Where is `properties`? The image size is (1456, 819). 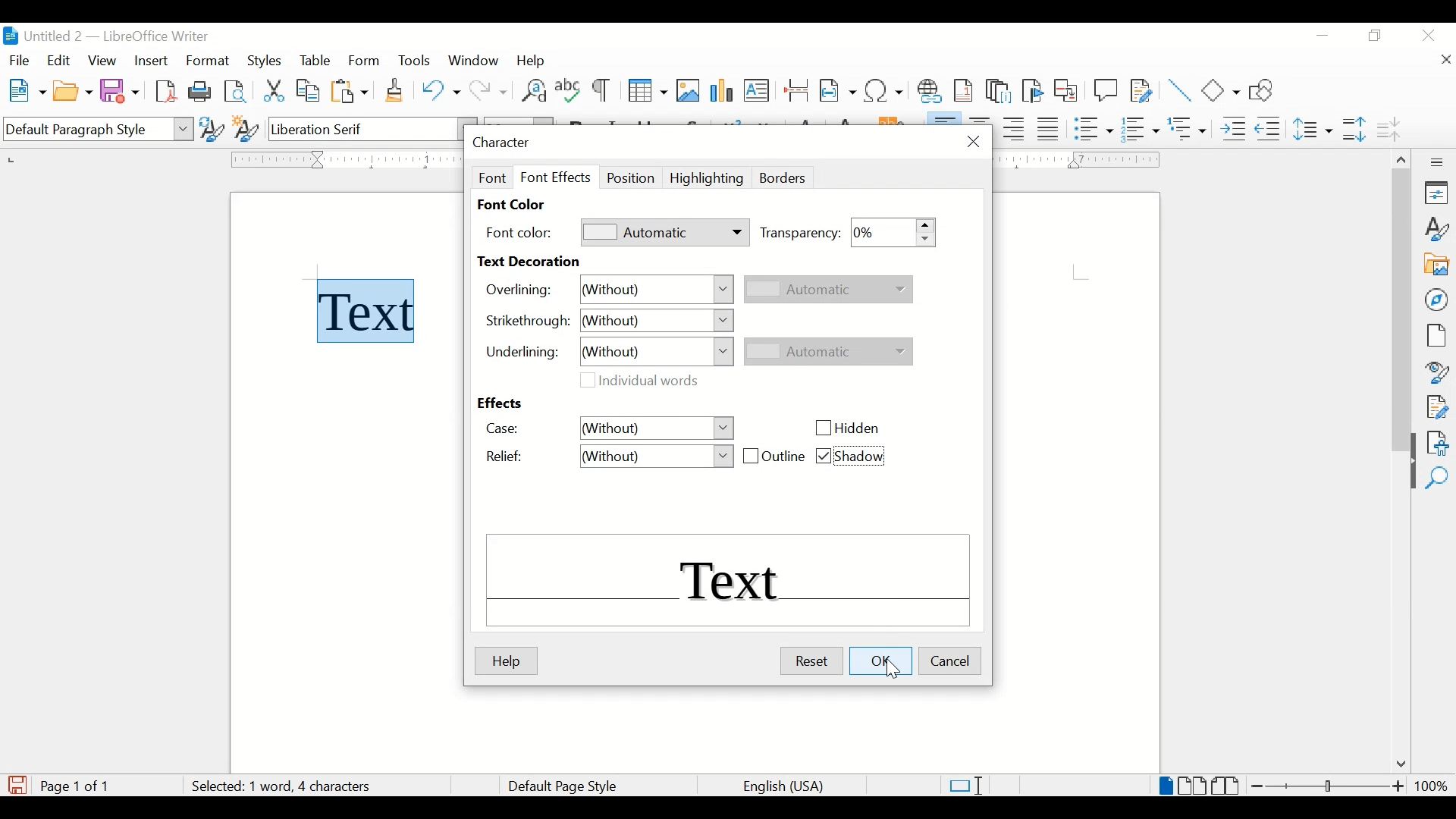 properties is located at coordinates (1438, 193).